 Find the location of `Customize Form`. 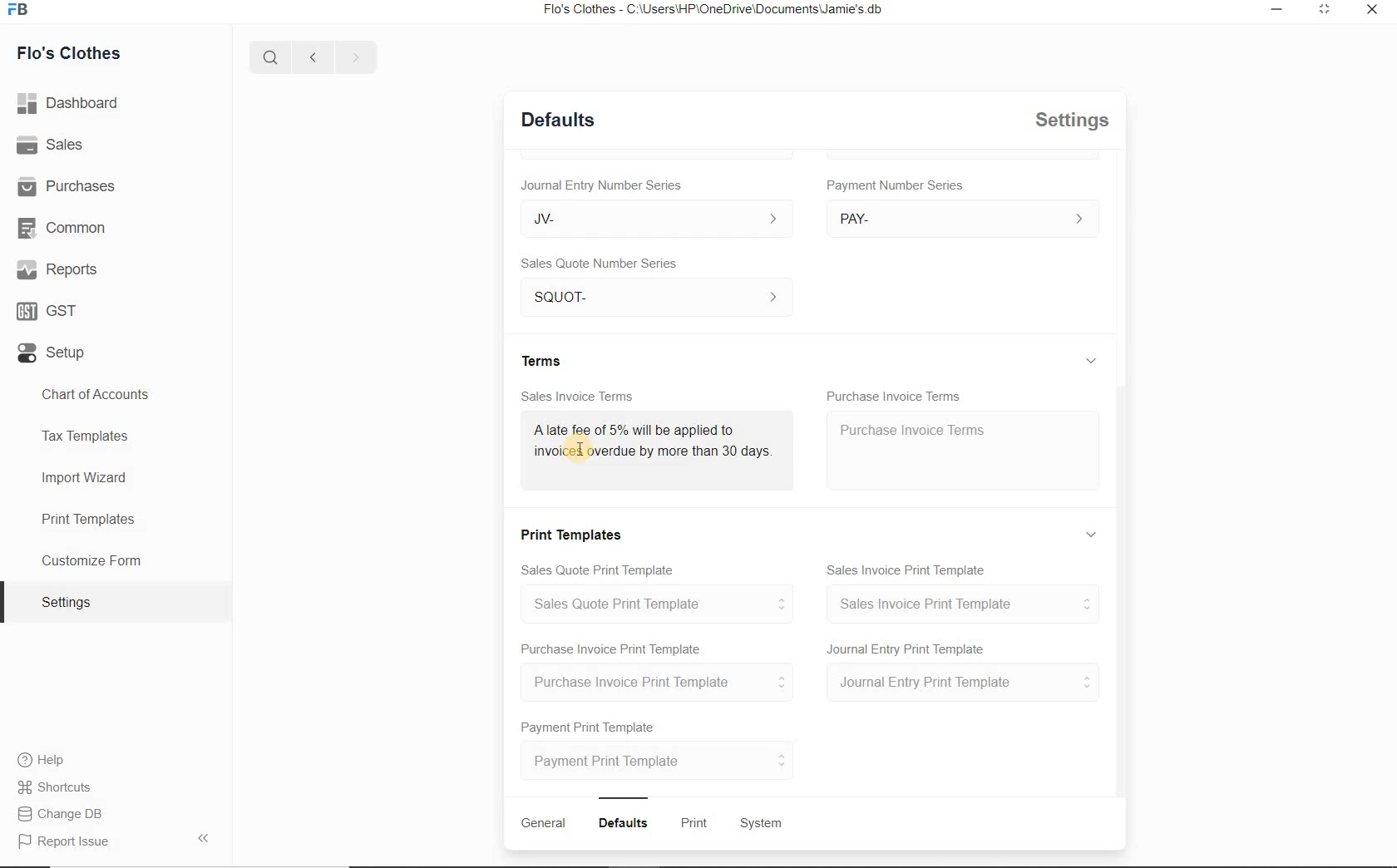

Customize Form is located at coordinates (91, 561).